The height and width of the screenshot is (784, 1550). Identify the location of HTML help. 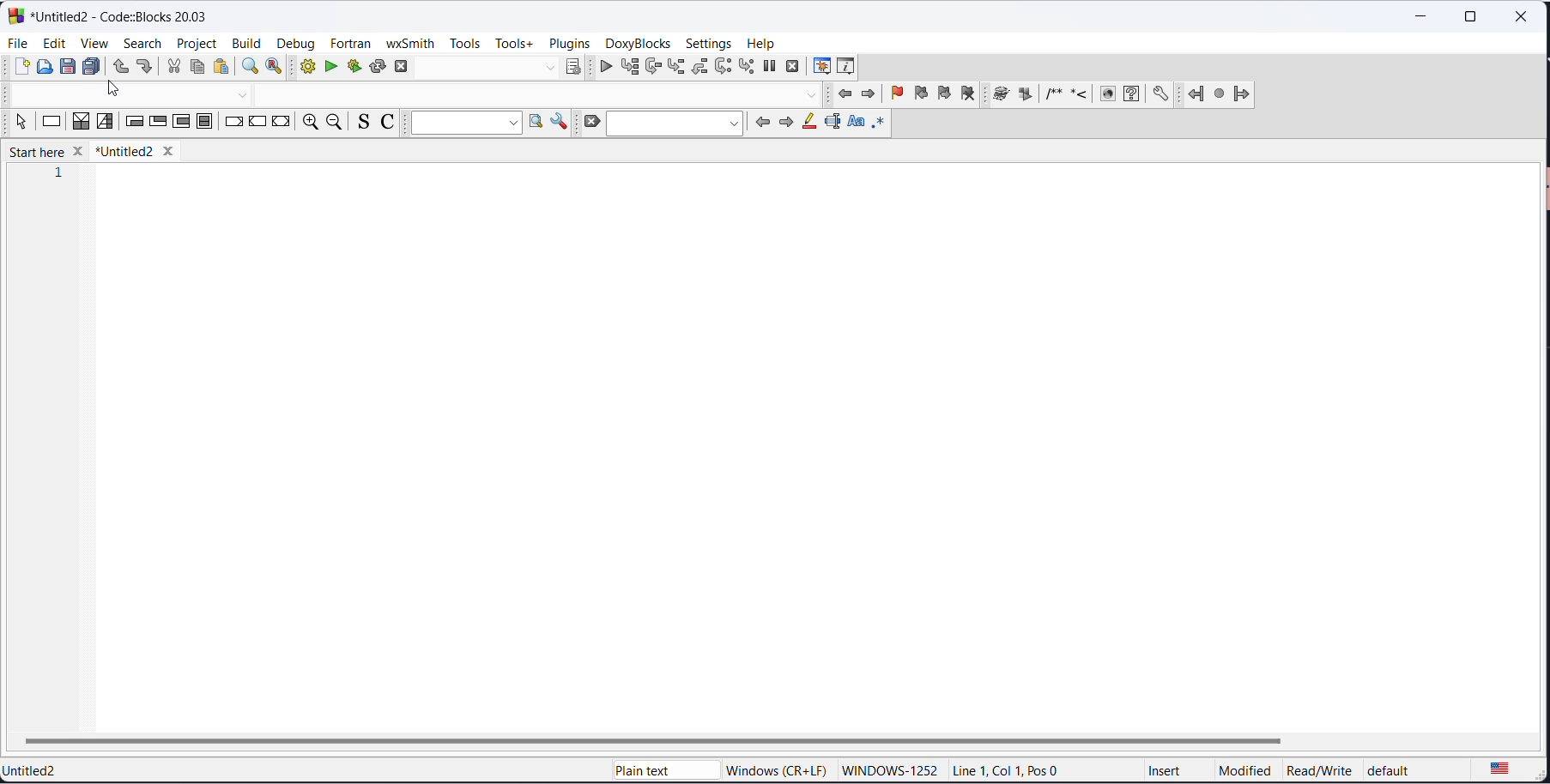
(1134, 96).